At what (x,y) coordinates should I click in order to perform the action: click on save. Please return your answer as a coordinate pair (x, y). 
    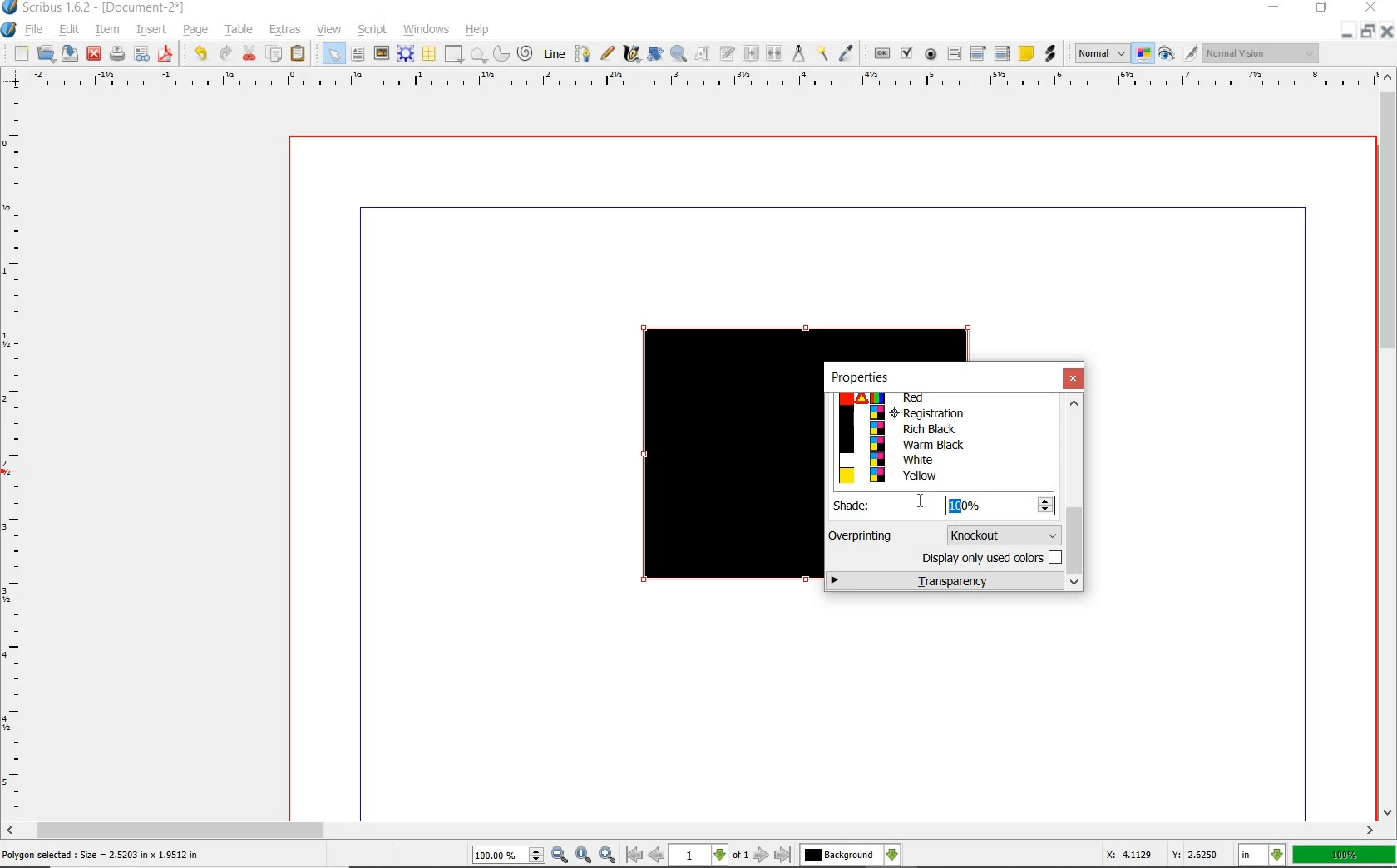
    Looking at the image, I should click on (69, 55).